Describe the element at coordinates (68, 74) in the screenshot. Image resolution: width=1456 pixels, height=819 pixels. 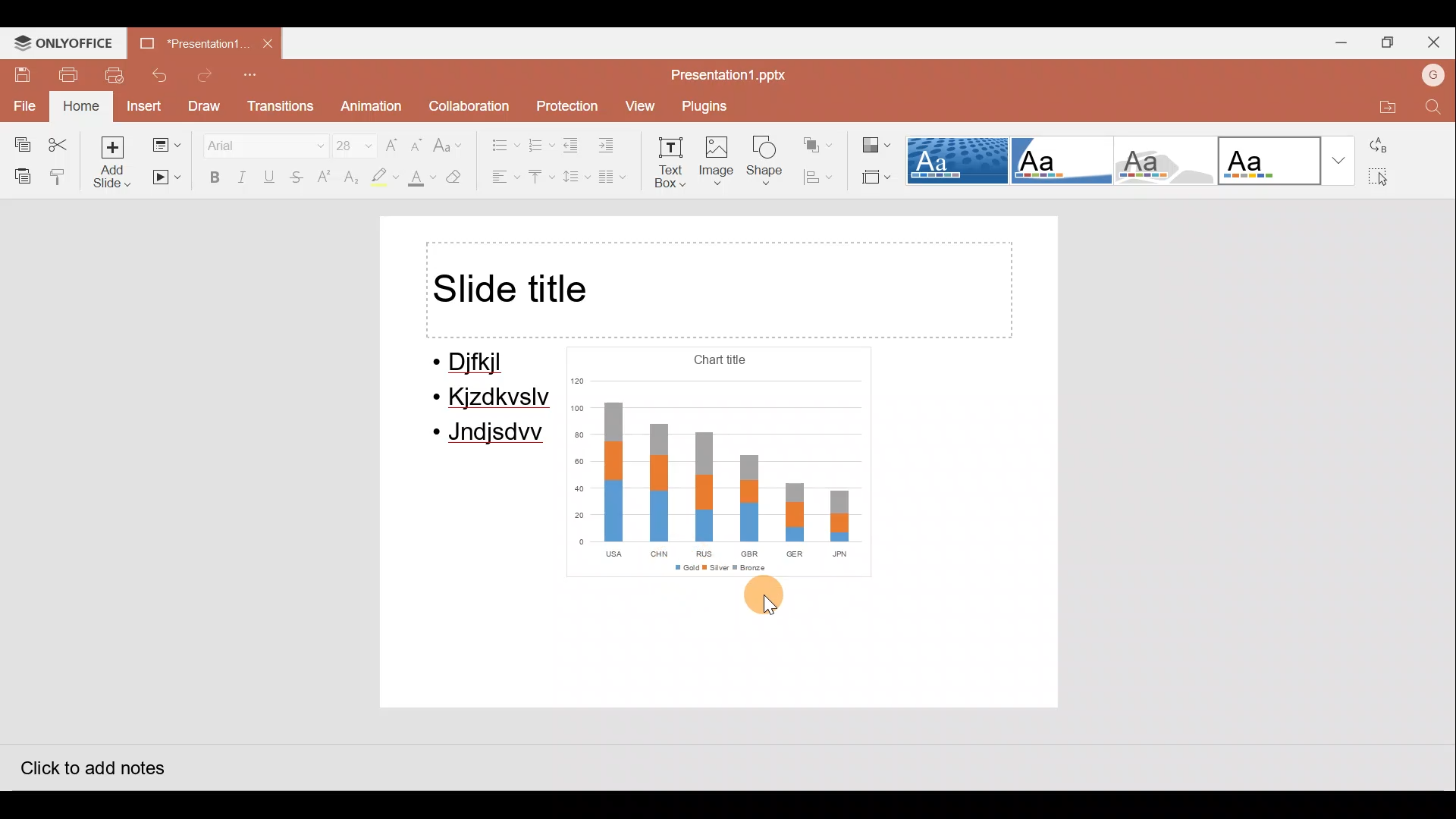
I see `Print file` at that location.